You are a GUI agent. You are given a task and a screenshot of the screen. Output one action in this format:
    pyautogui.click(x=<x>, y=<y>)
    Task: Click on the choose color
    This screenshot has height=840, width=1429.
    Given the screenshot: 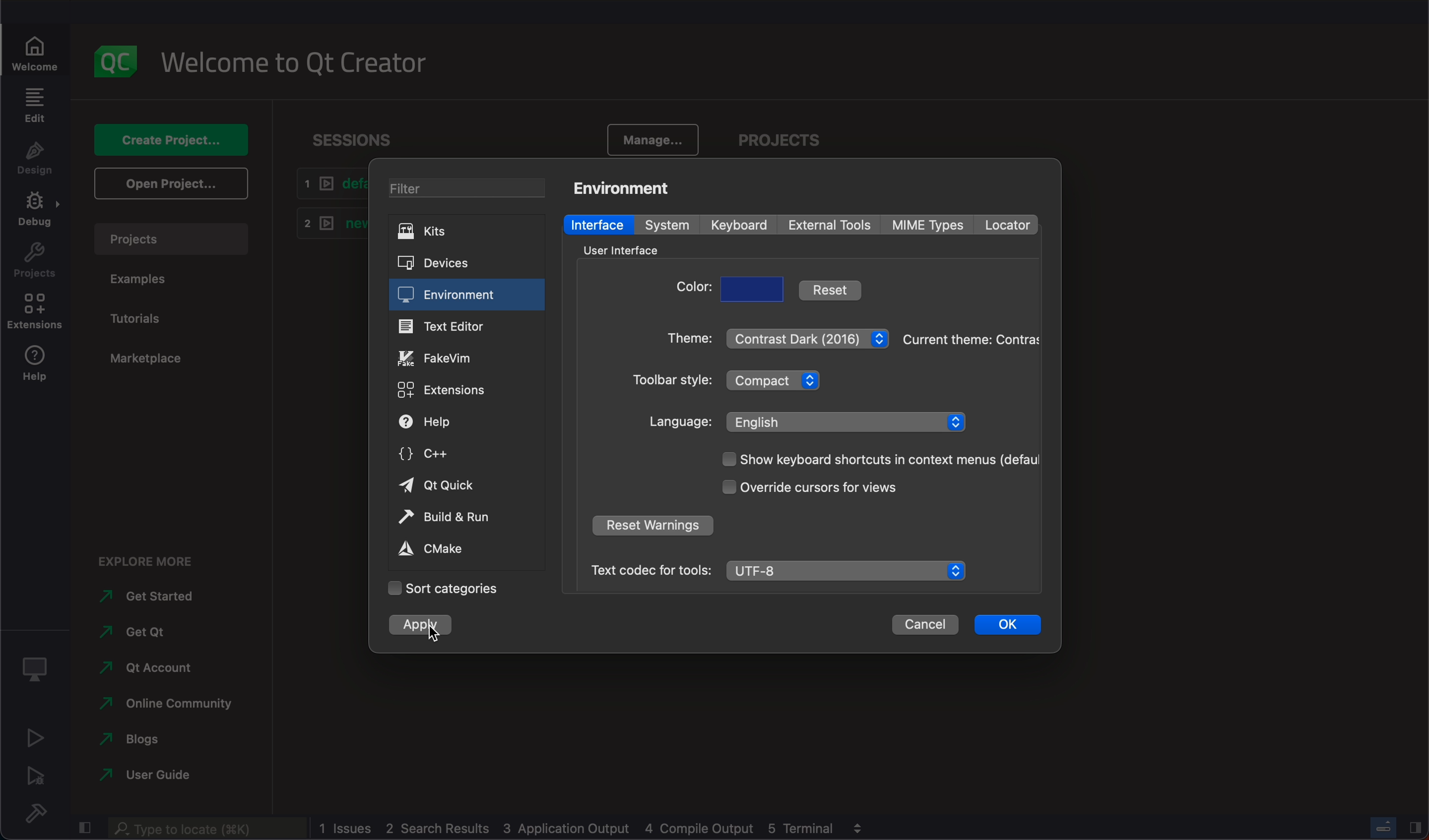 What is the action you would take?
    pyautogui.click(x=754, y=289)
    